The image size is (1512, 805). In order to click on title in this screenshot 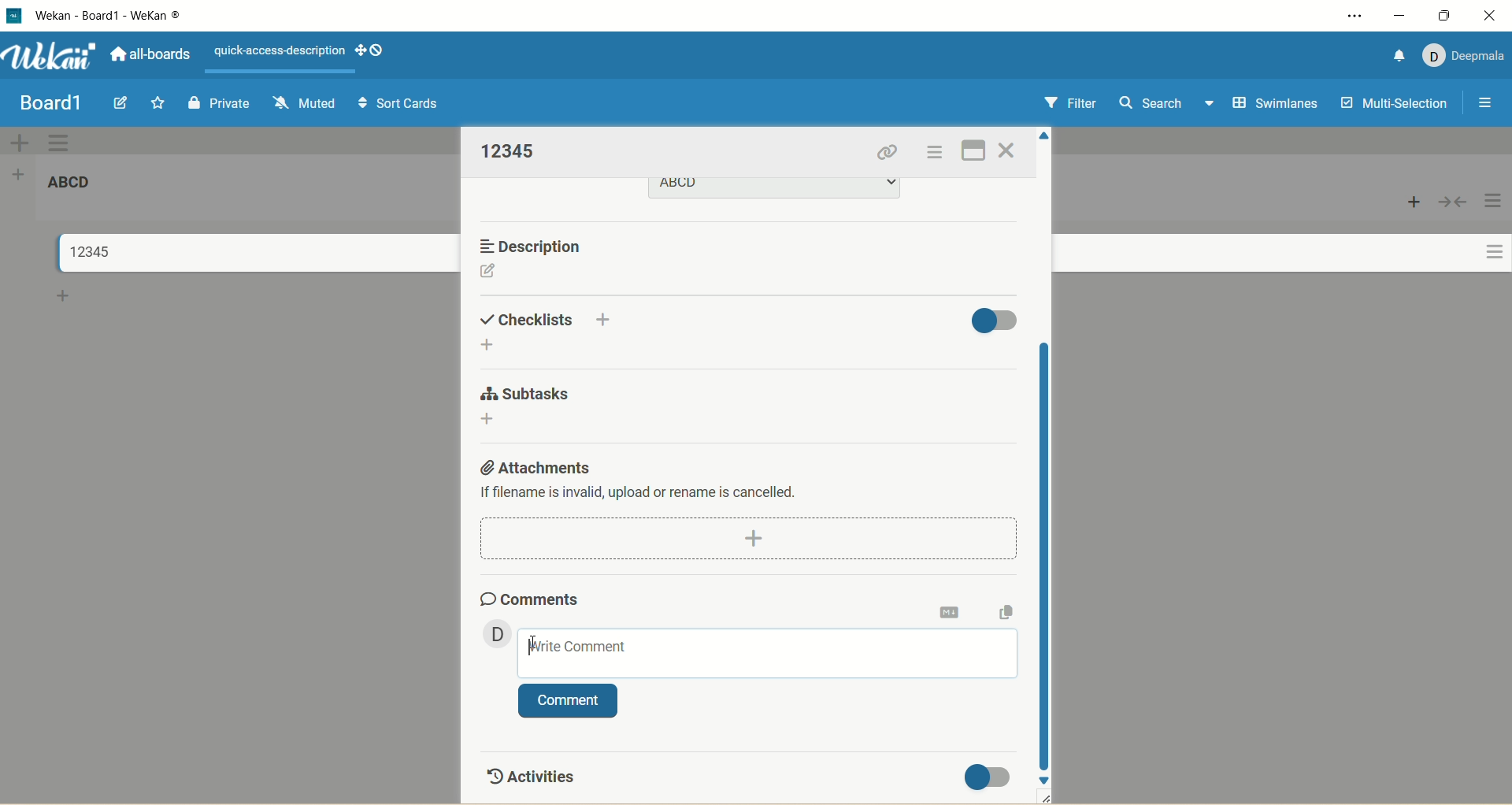, I will do `click(511, 150)`.